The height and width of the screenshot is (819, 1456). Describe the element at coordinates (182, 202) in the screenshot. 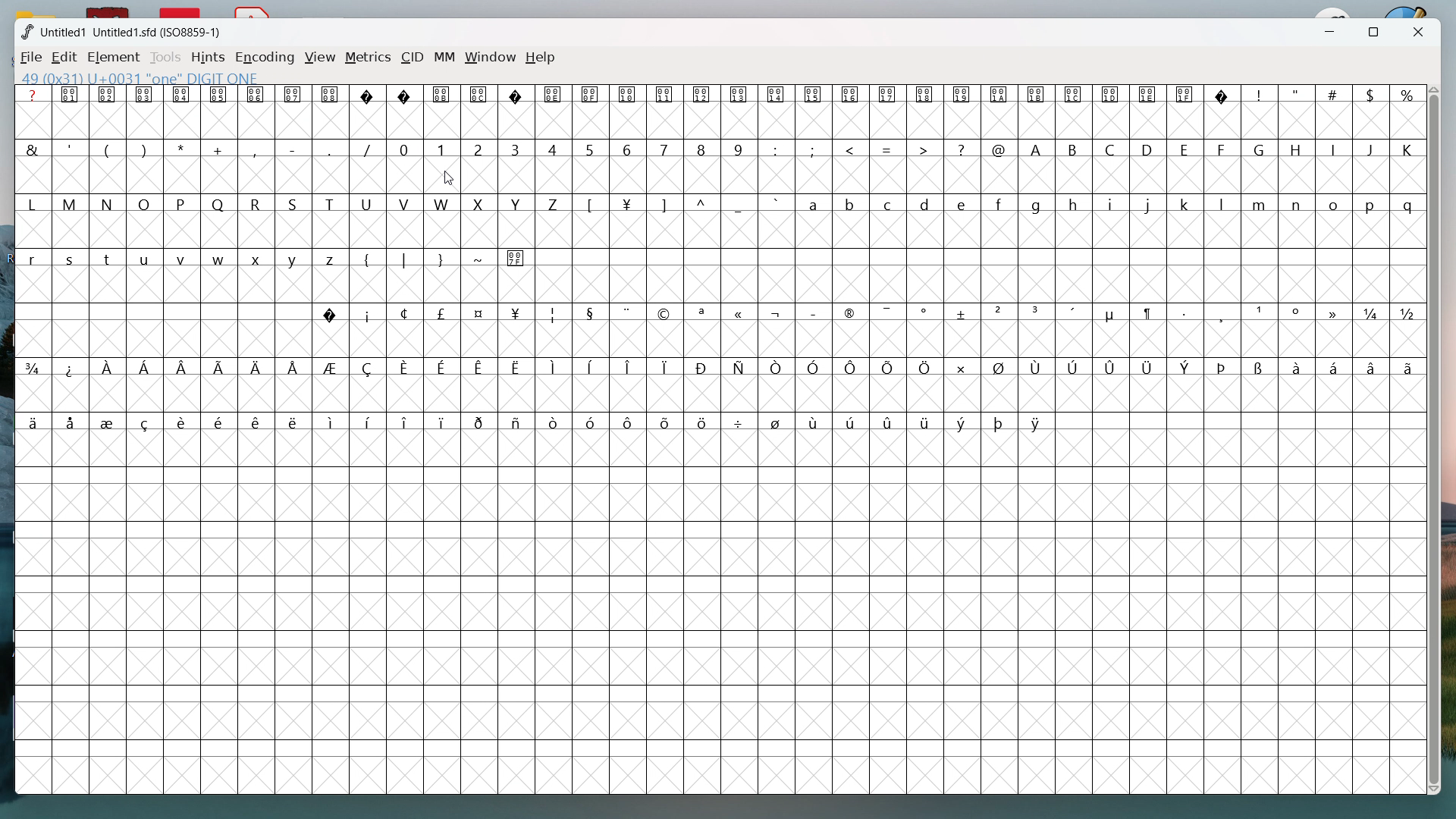

I see `P` at that location.